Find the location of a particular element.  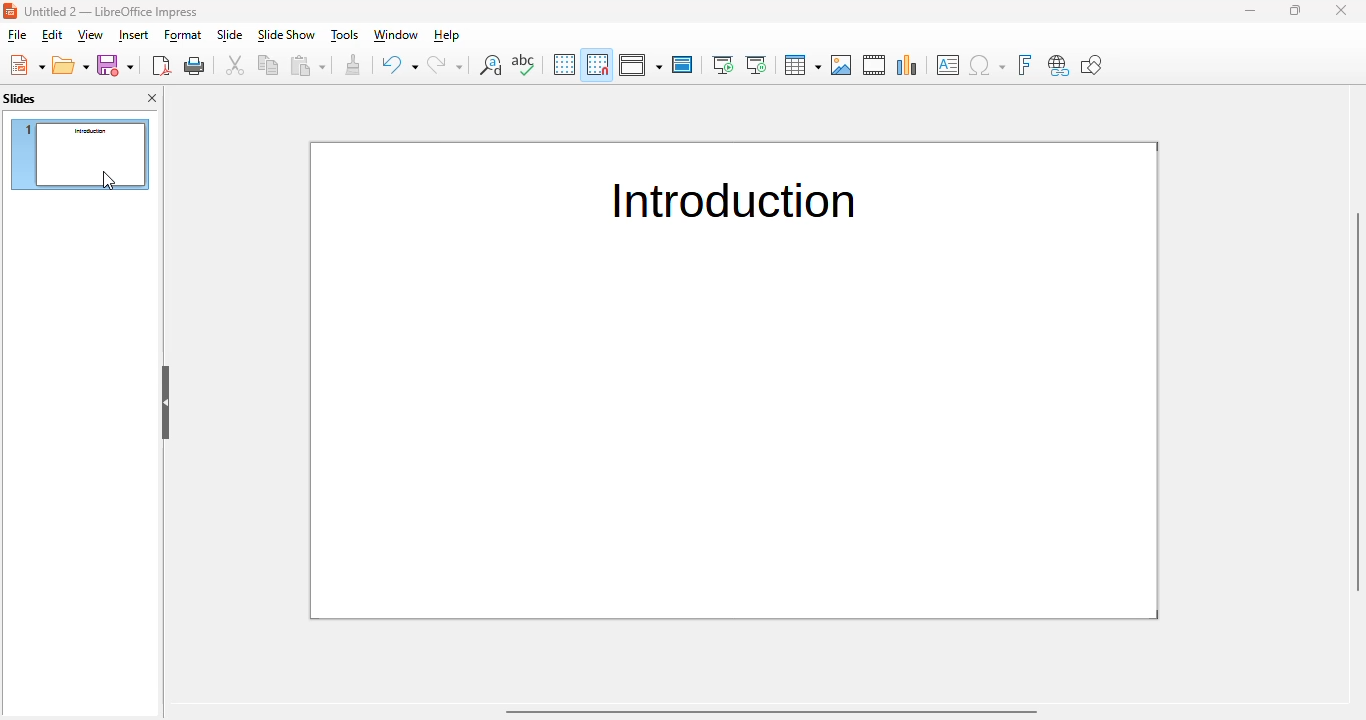

hide pane is located at coordinates (166, 404).